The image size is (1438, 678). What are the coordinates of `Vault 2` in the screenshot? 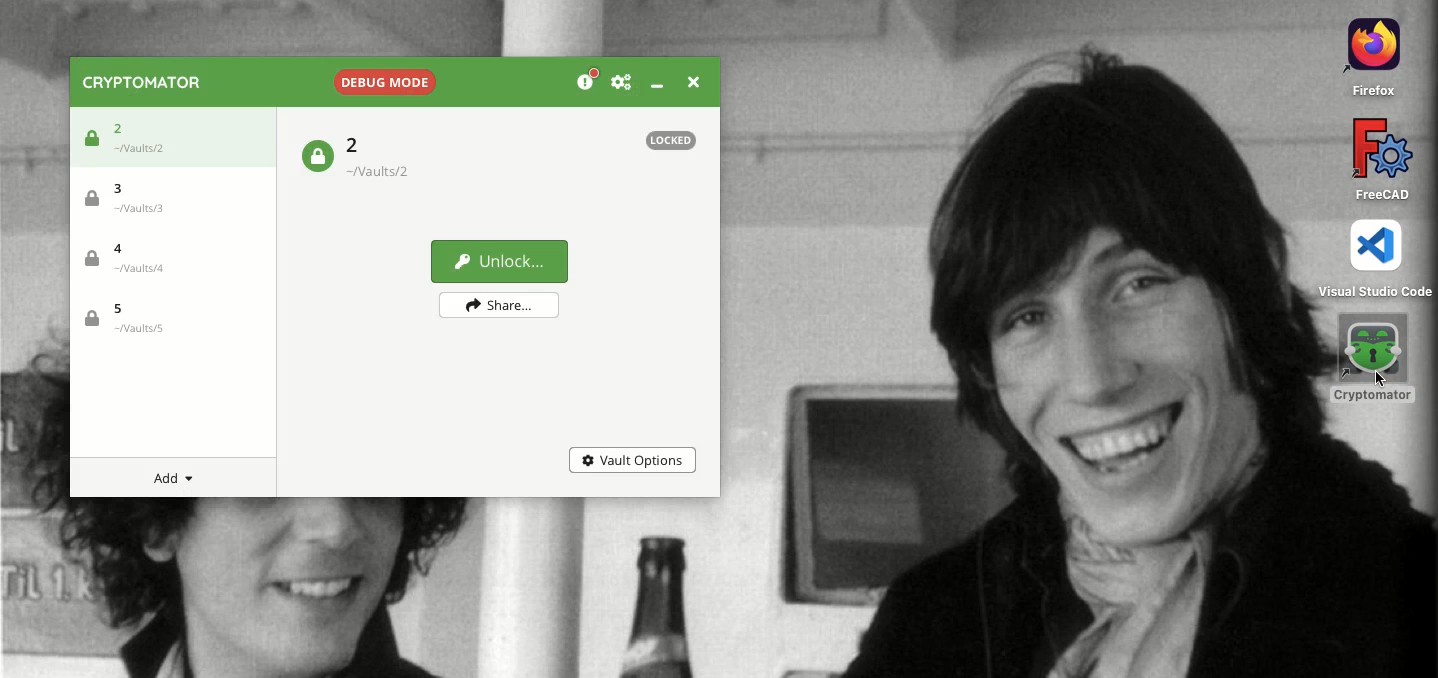 It's located at (168, 138).